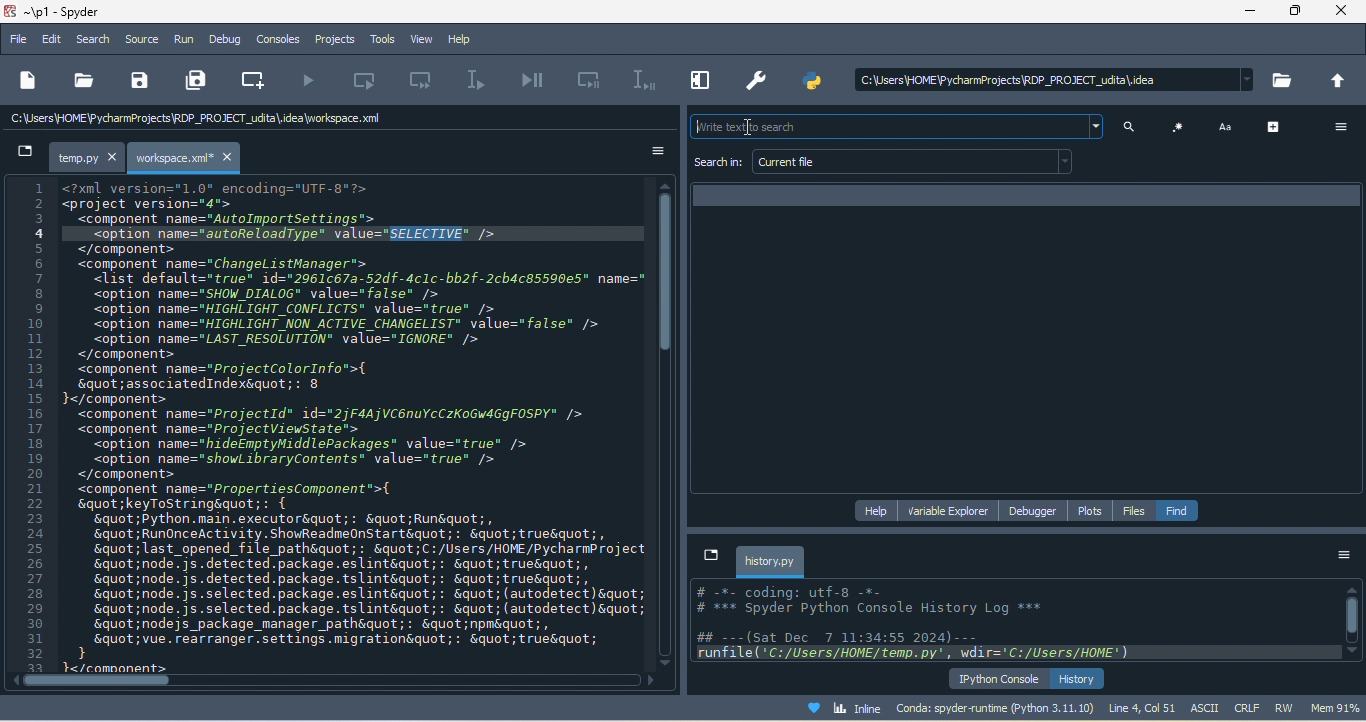  Describe the element at coordinates (590, 80) in the screenshot. I see `debug cell` at that location.